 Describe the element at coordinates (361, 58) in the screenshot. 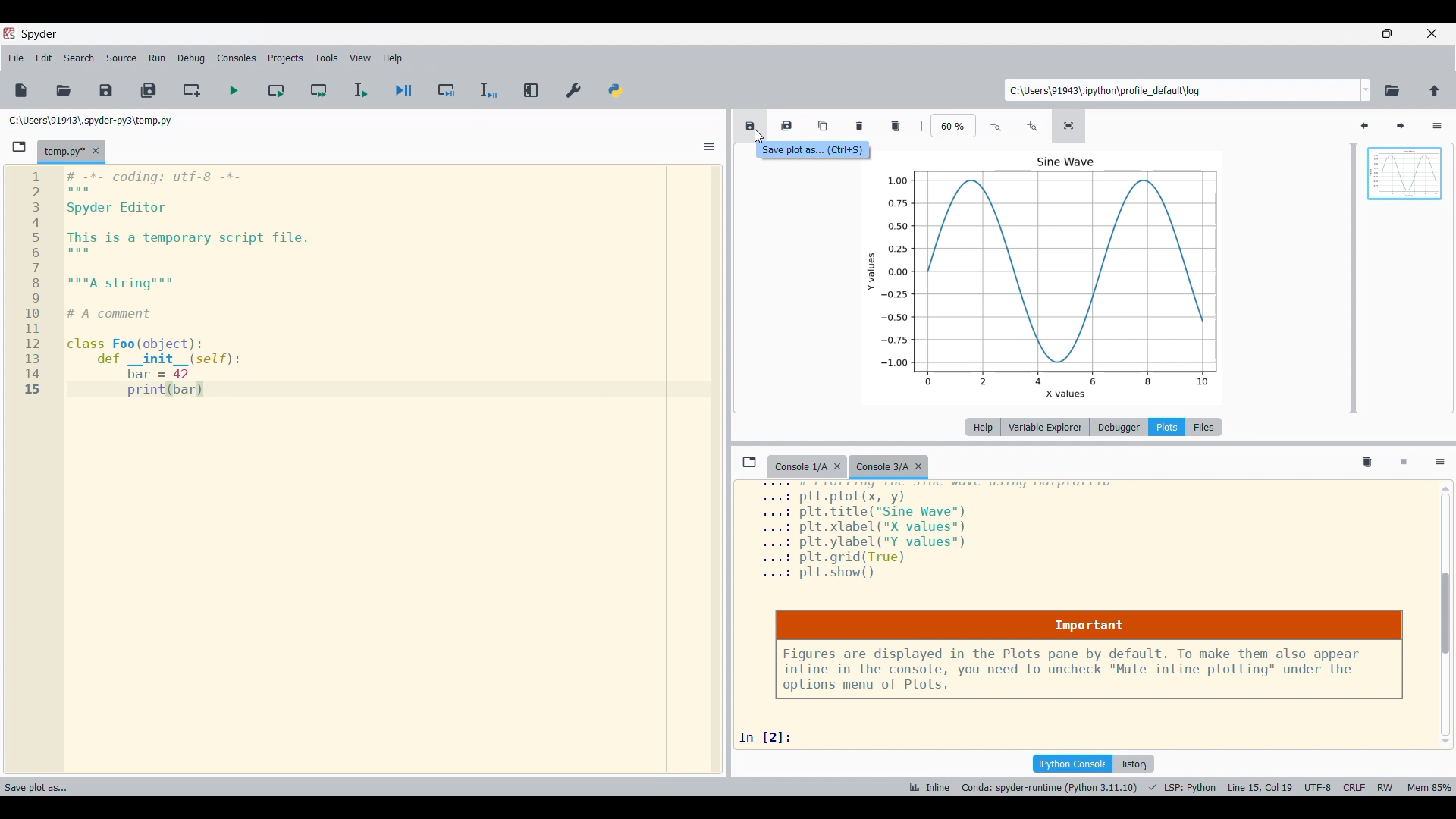

I see `View menu` at that location.